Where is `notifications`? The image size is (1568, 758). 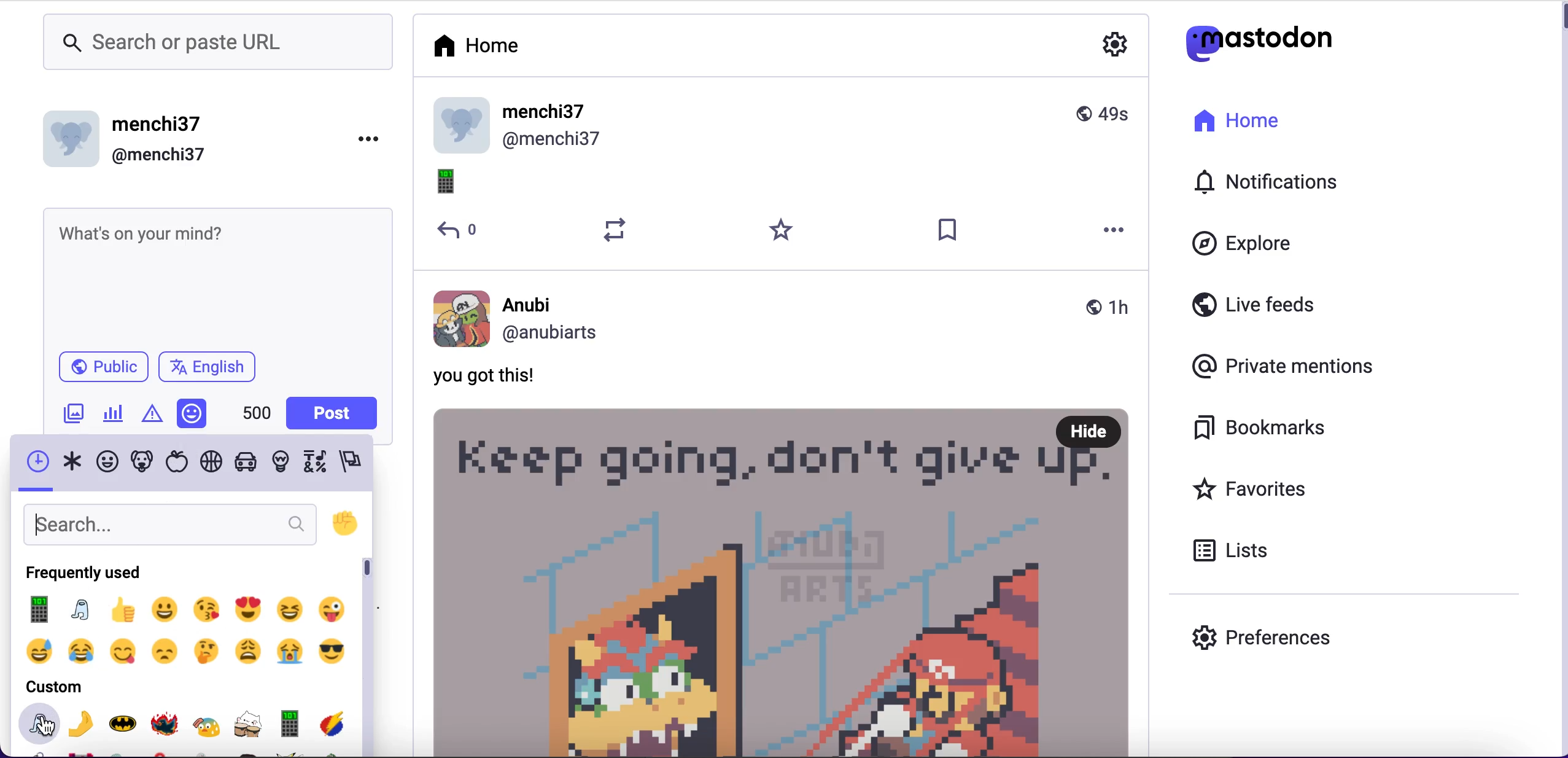
notifications is located at coordinates (1262, 182).